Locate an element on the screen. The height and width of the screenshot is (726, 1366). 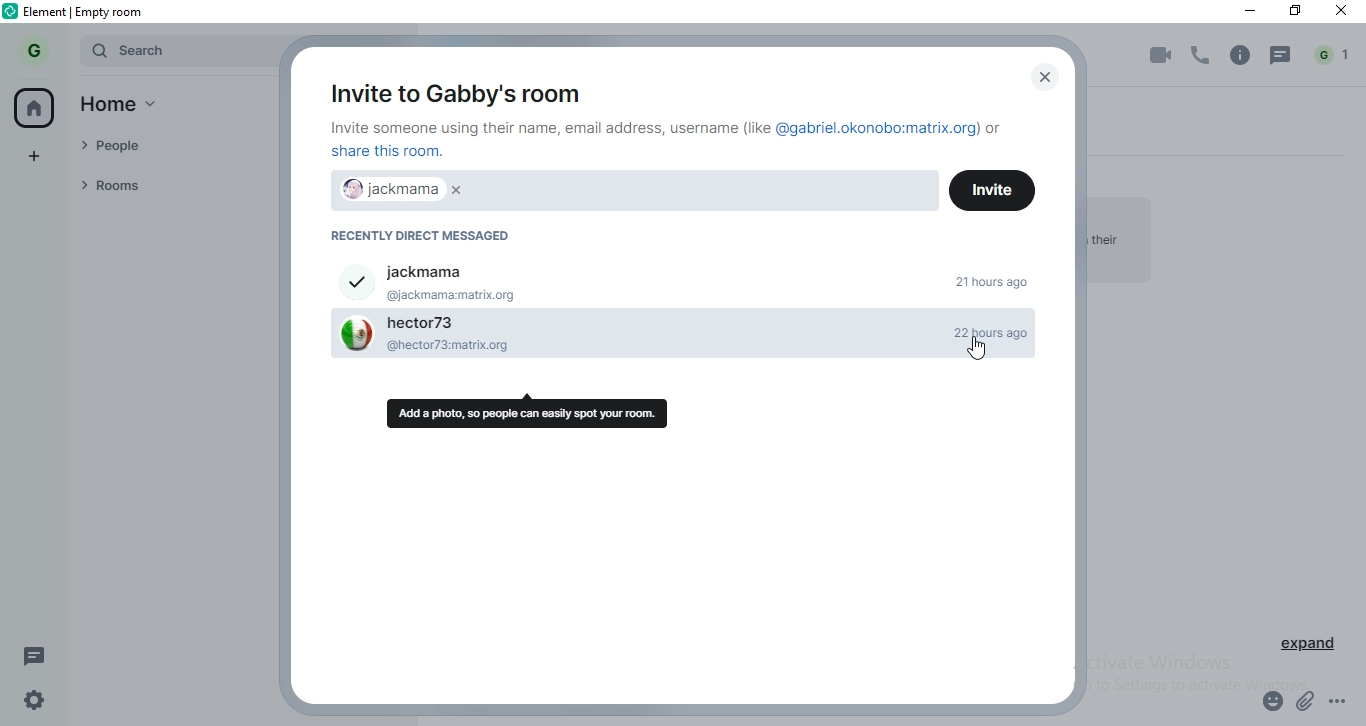
recently direct messaged is located at coordinates (430, 236).